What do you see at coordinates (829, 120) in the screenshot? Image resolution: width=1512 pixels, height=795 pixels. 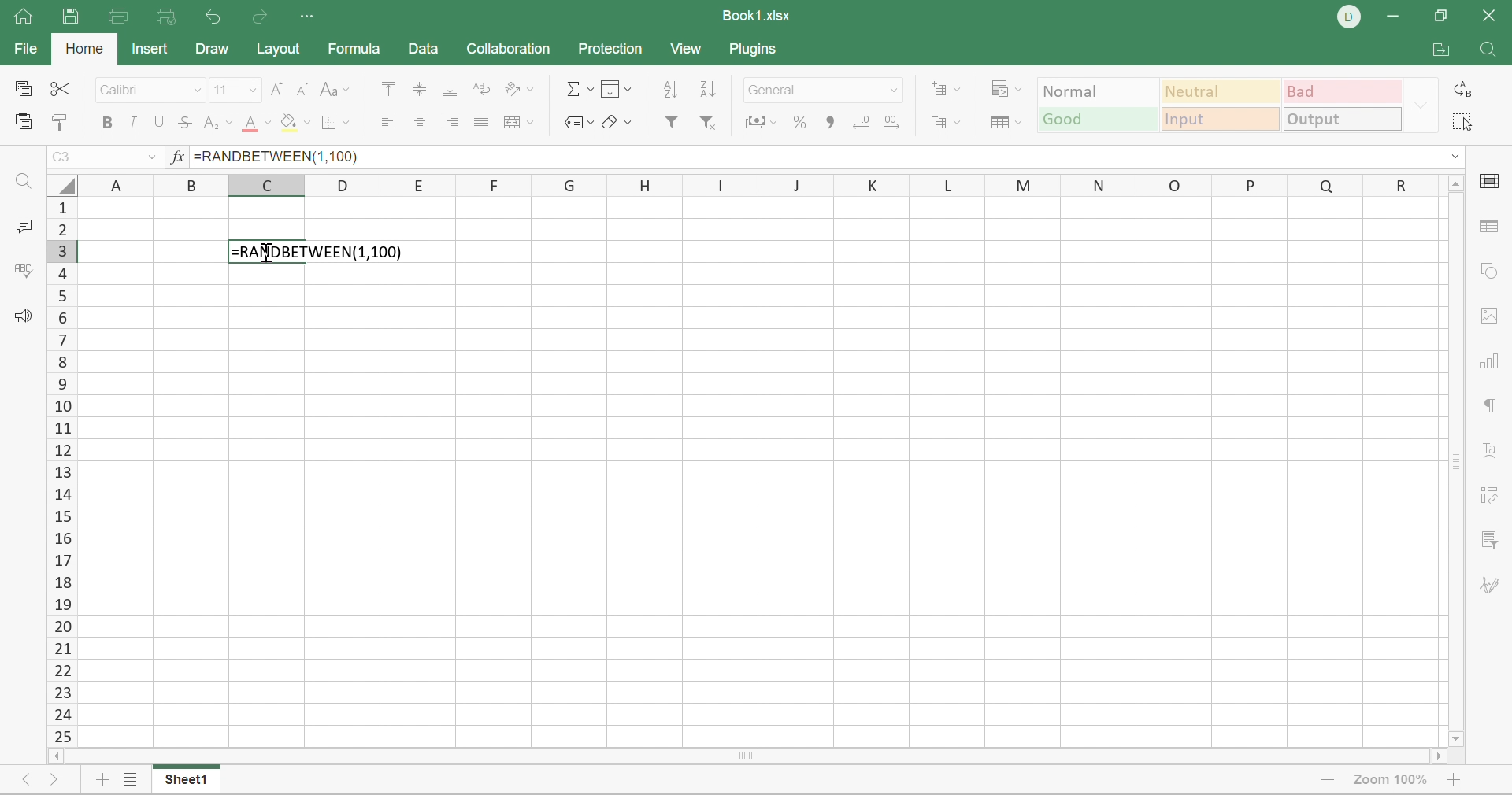 I see `Comma style` at bounding box center [829, 120].